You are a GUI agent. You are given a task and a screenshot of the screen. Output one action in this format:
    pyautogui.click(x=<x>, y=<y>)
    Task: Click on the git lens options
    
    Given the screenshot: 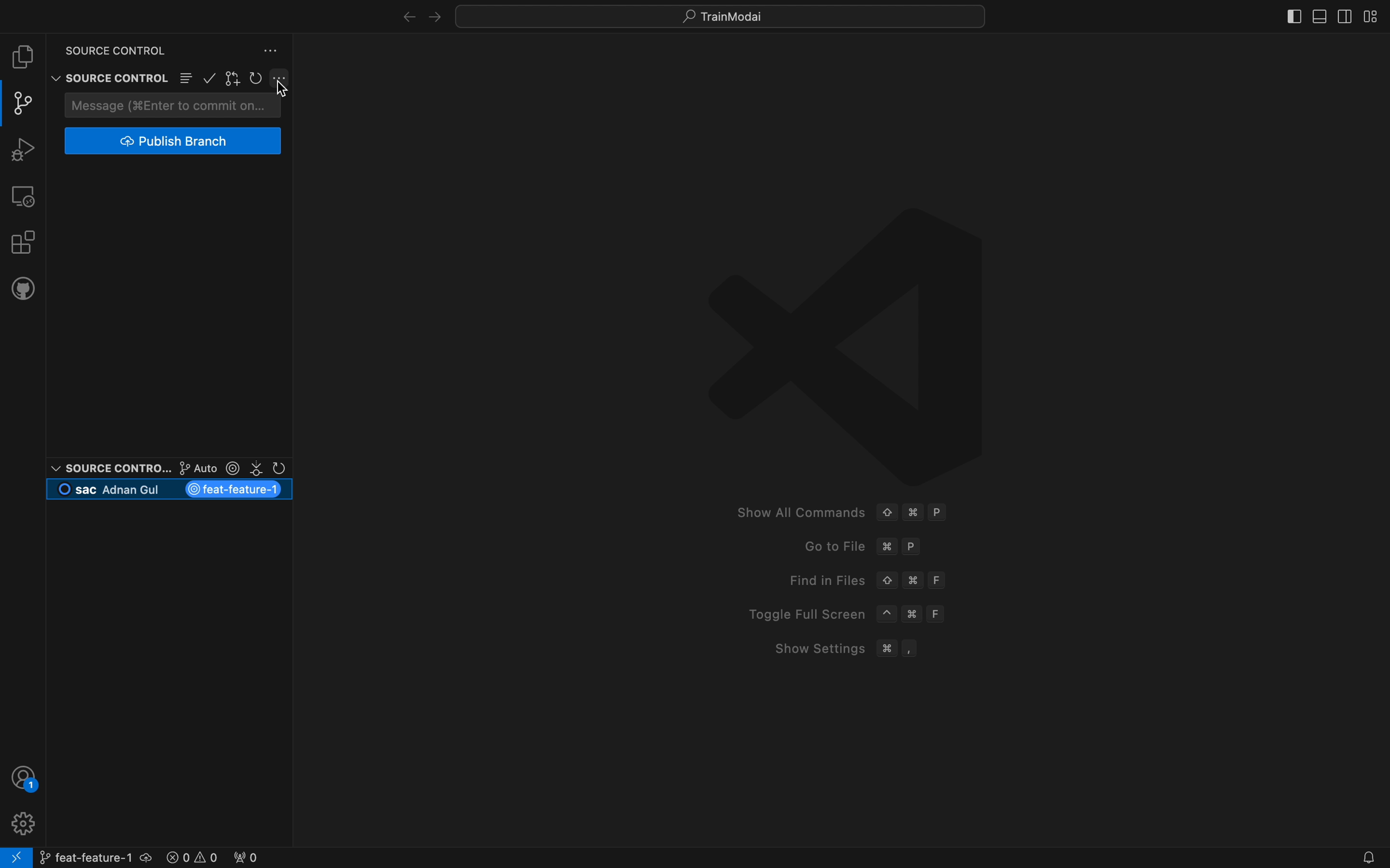 What is the action you would take?
    pyautogui.click(x=229, y=467)
    